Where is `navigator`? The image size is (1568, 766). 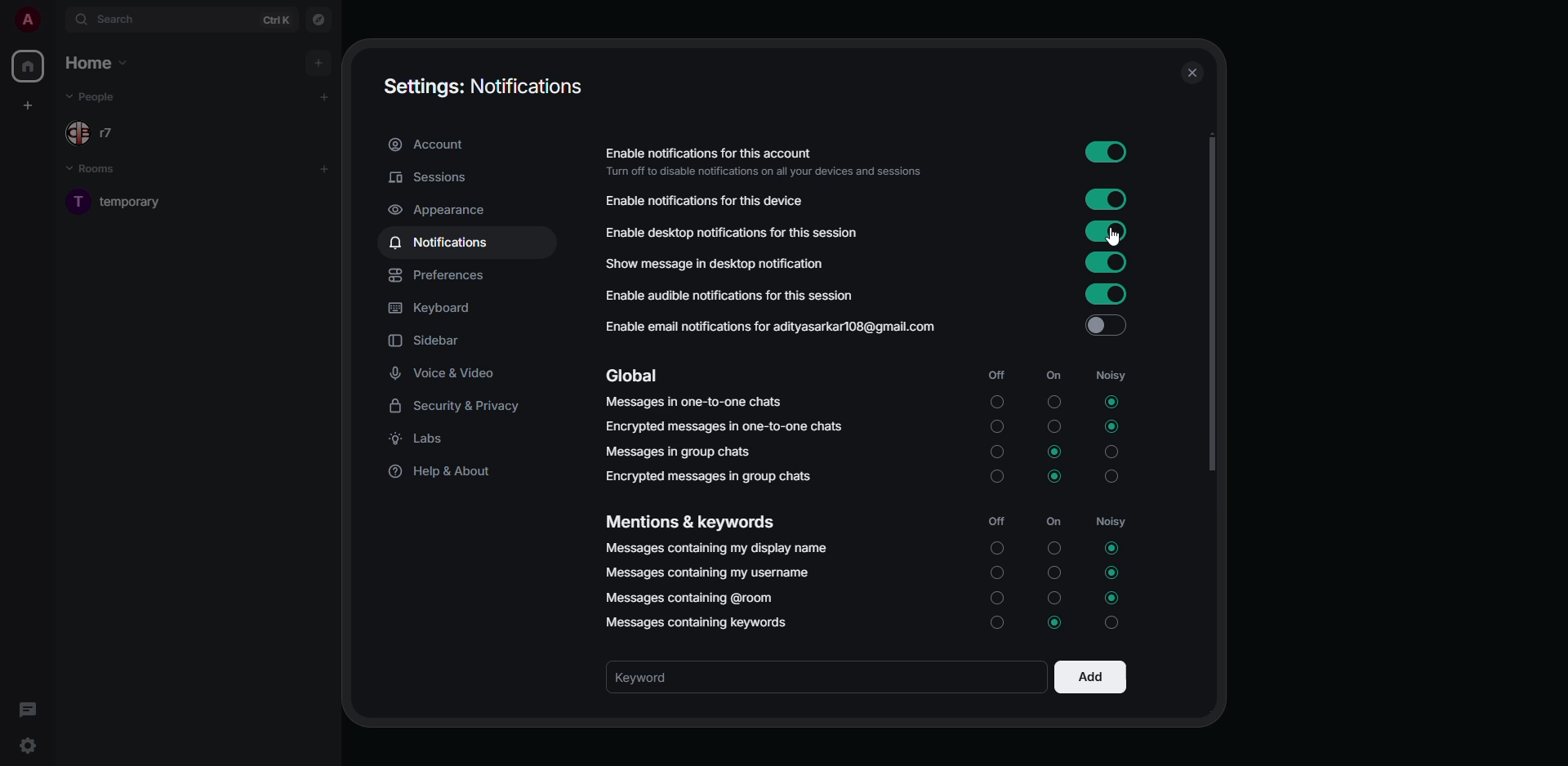
navigator is located at coordinates (319, 22).